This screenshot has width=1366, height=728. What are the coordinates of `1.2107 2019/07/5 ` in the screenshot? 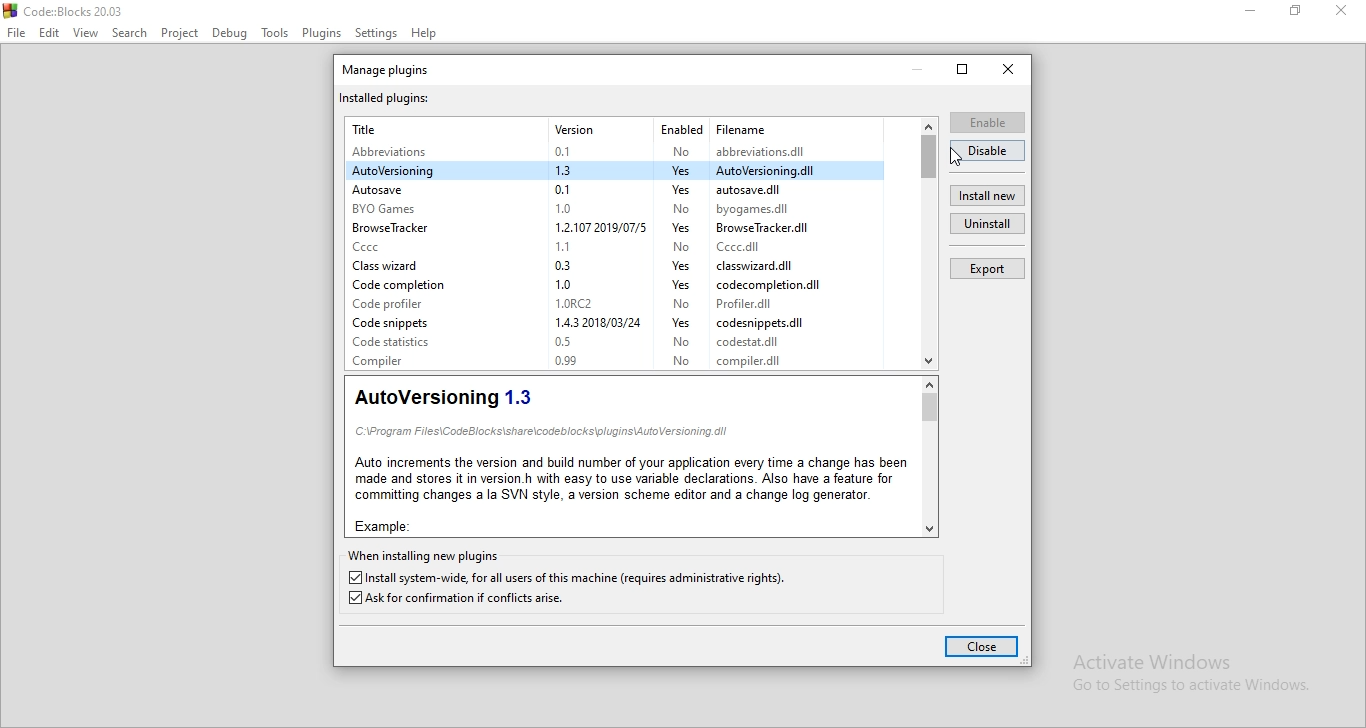 It's located at (595, 227).